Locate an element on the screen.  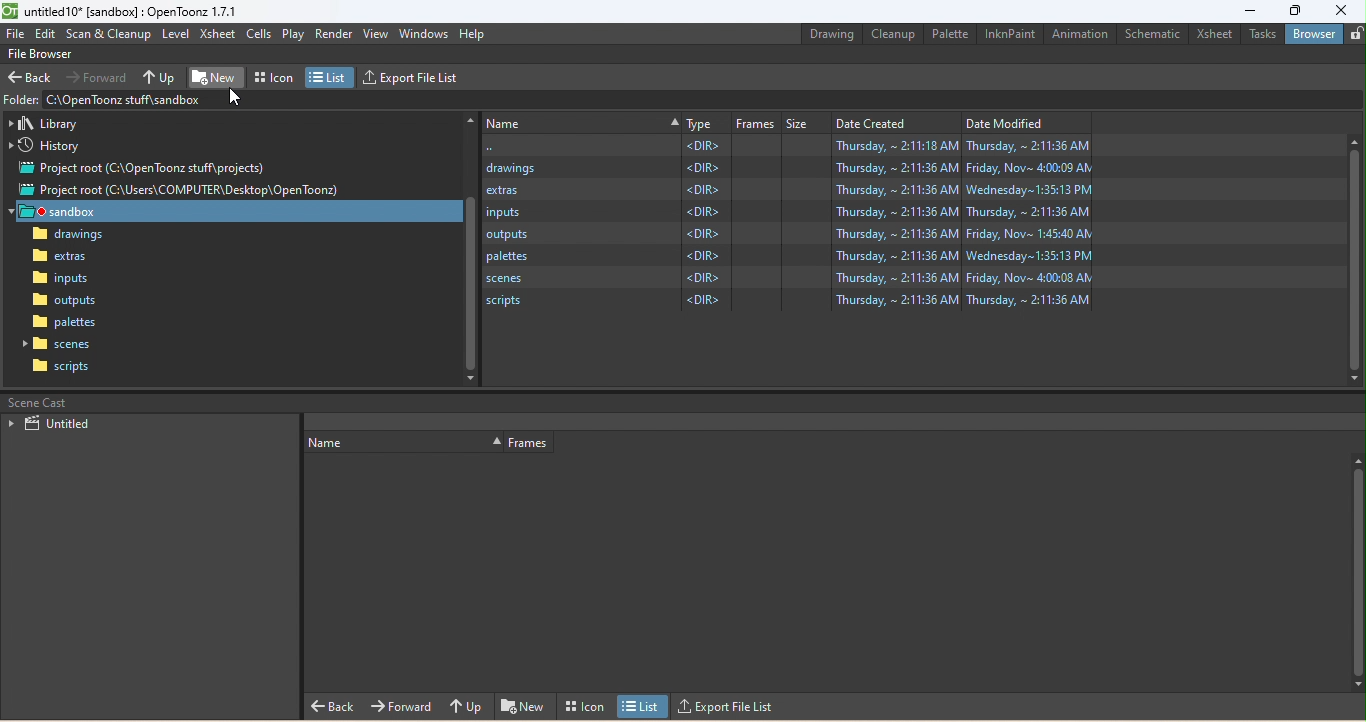
Up is located at coordinates (469, 703).